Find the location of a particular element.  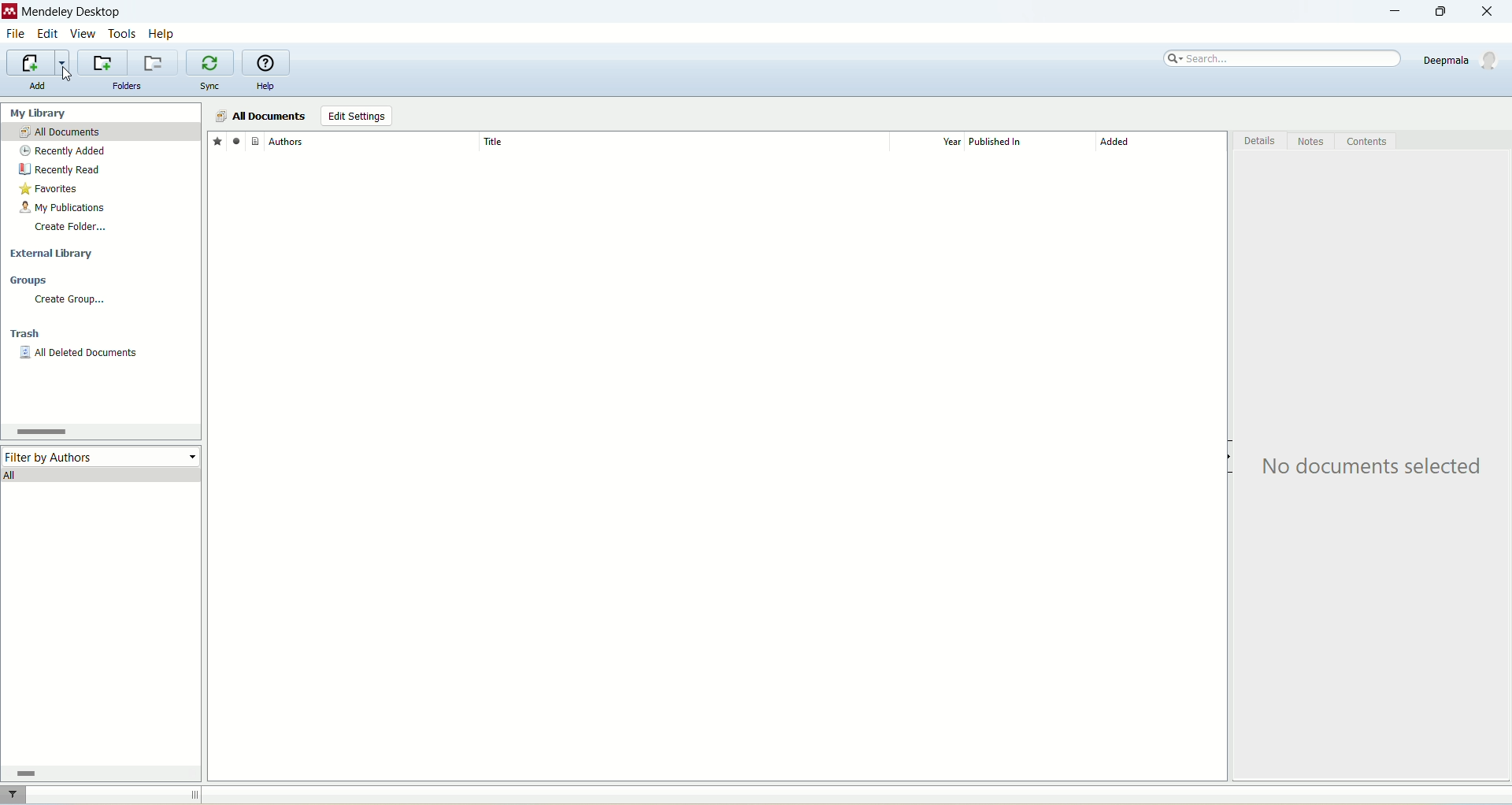

help is located at coordinates (265, 87).